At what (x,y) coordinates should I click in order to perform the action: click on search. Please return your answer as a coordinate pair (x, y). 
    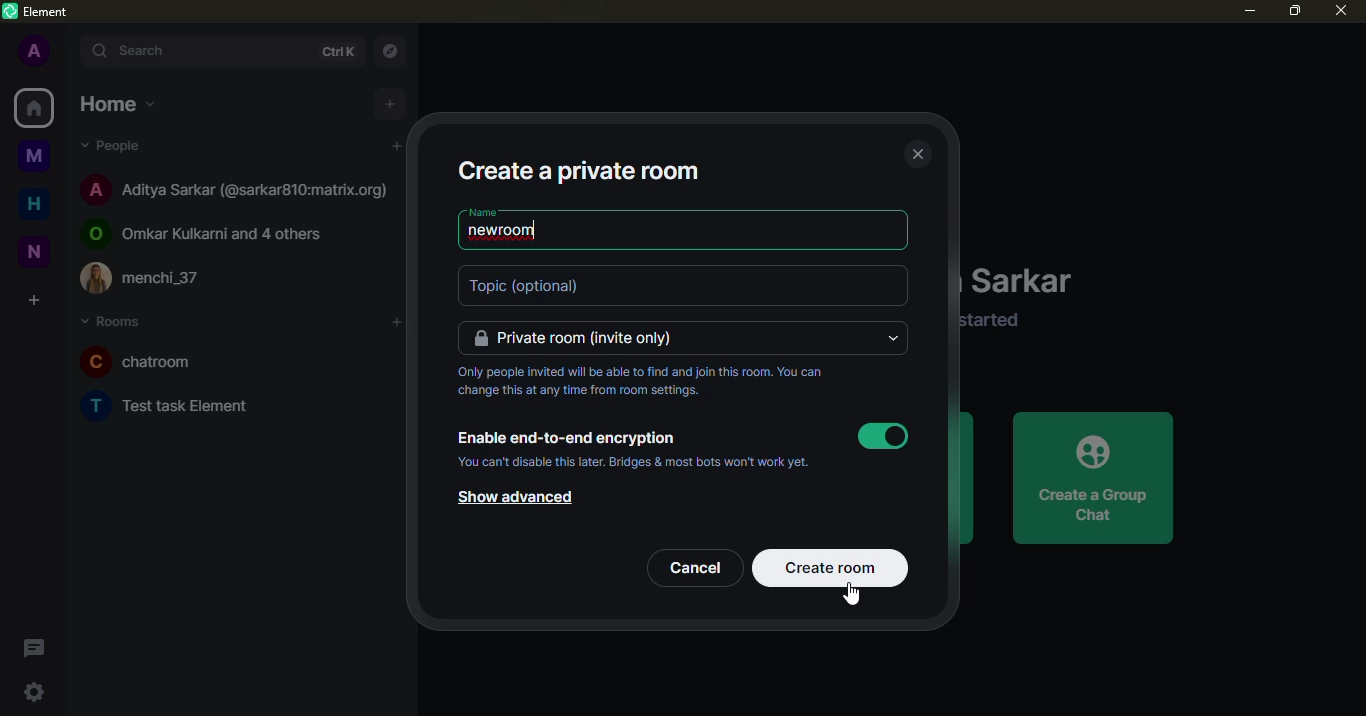
    Looking at the image, I should click on (145, 51).